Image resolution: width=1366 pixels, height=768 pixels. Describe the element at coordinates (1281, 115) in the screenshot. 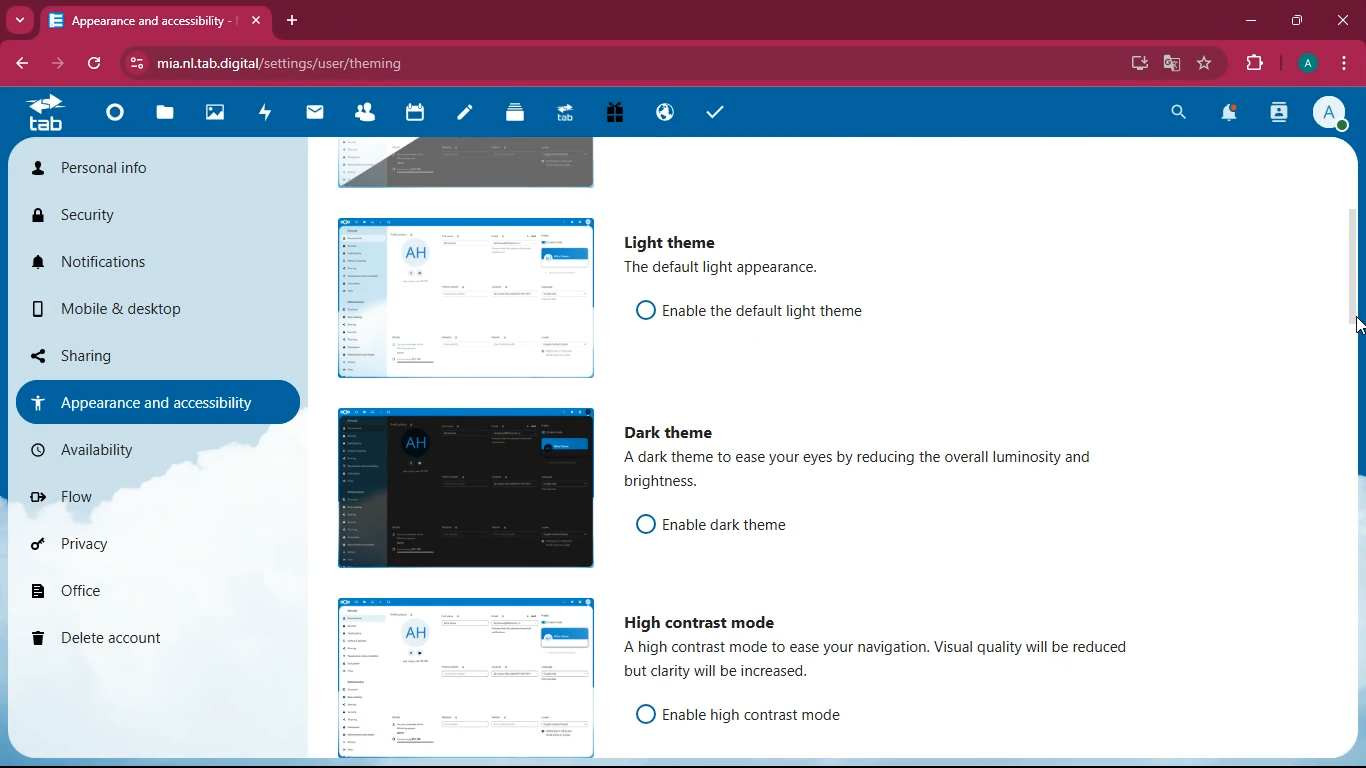

I see `activity` at that location.